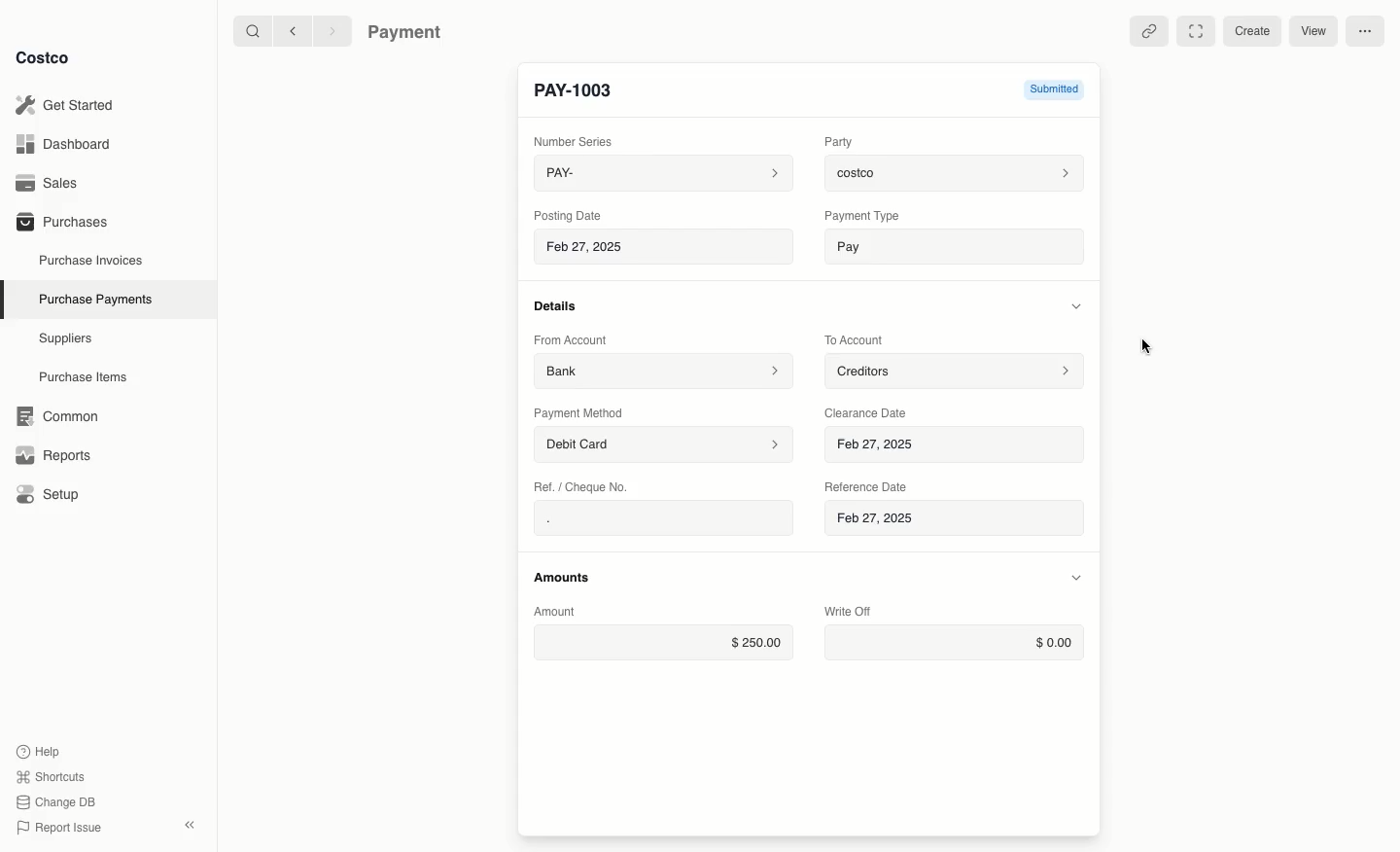 This screenshot has height=852, width=1400. What do you see at coordinates (61, 413) in the screenshot?
I see `‘Common` at bounding box center [61, 413].